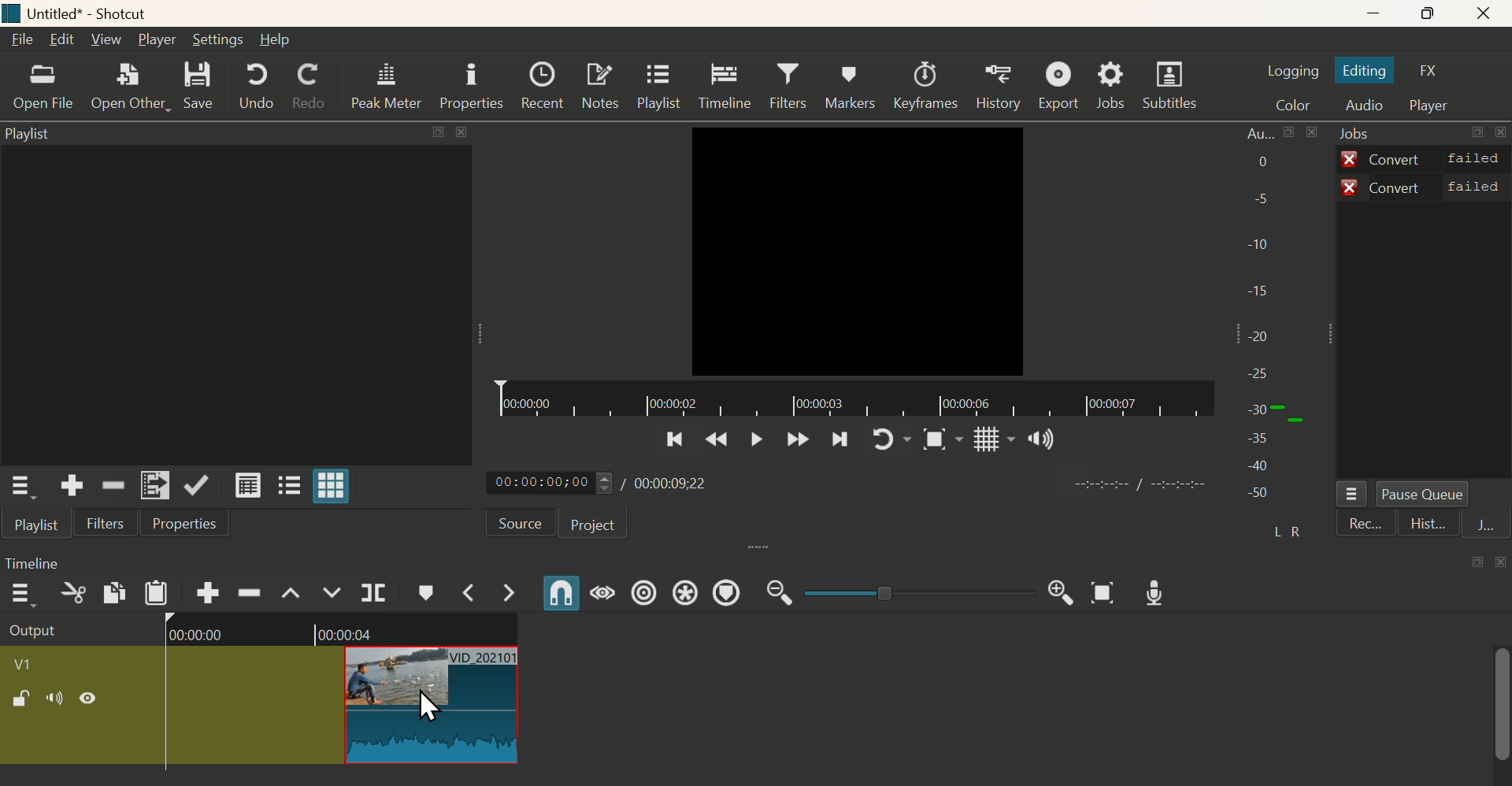 This screenshot has height=786, width=1512. Describe the element at coordinates (556, 595) in the screenshot. I see `Snap` at that location.